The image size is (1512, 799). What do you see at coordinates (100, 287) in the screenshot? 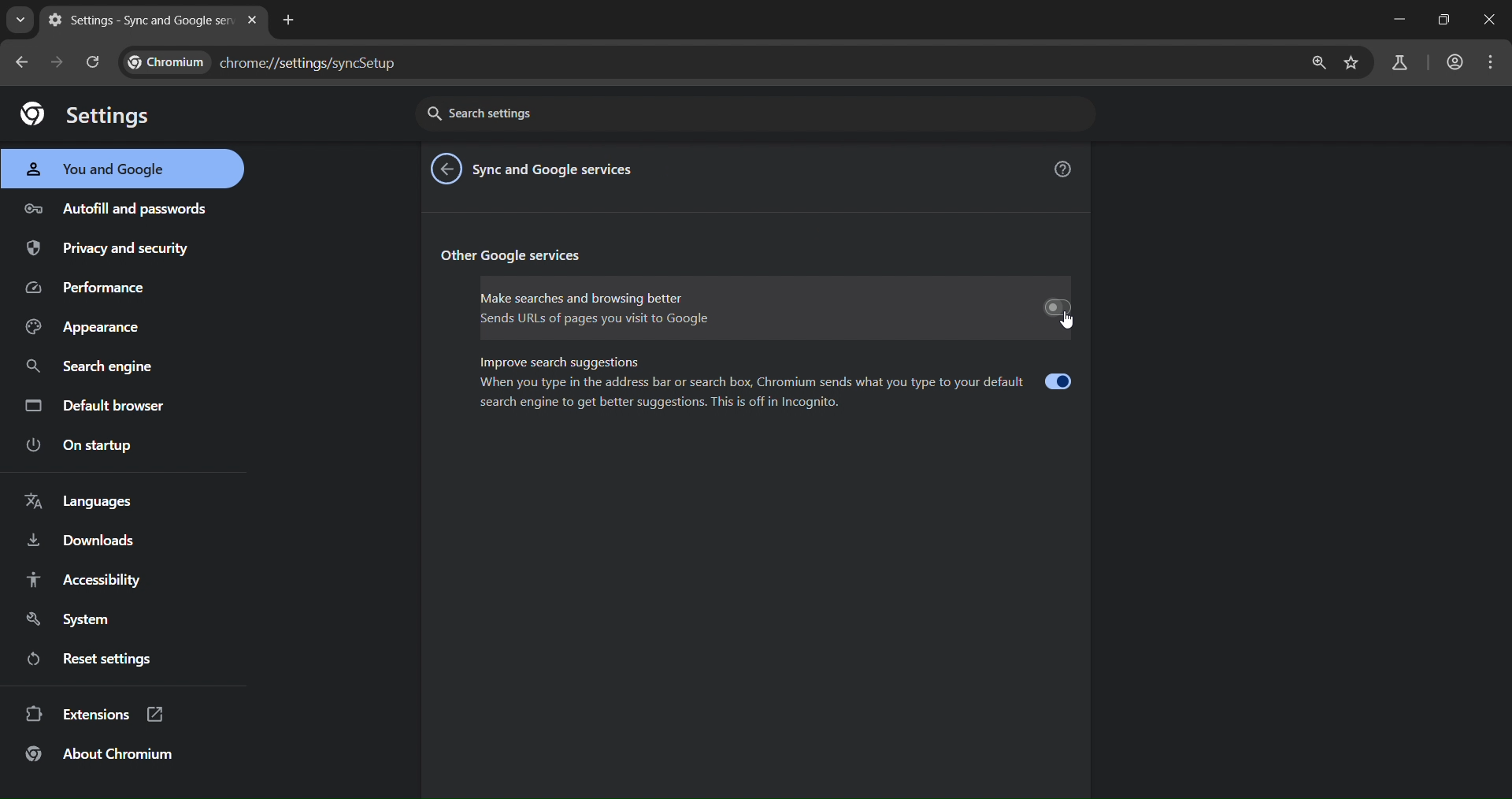
I see `performance` at bounding box center [100, 287].